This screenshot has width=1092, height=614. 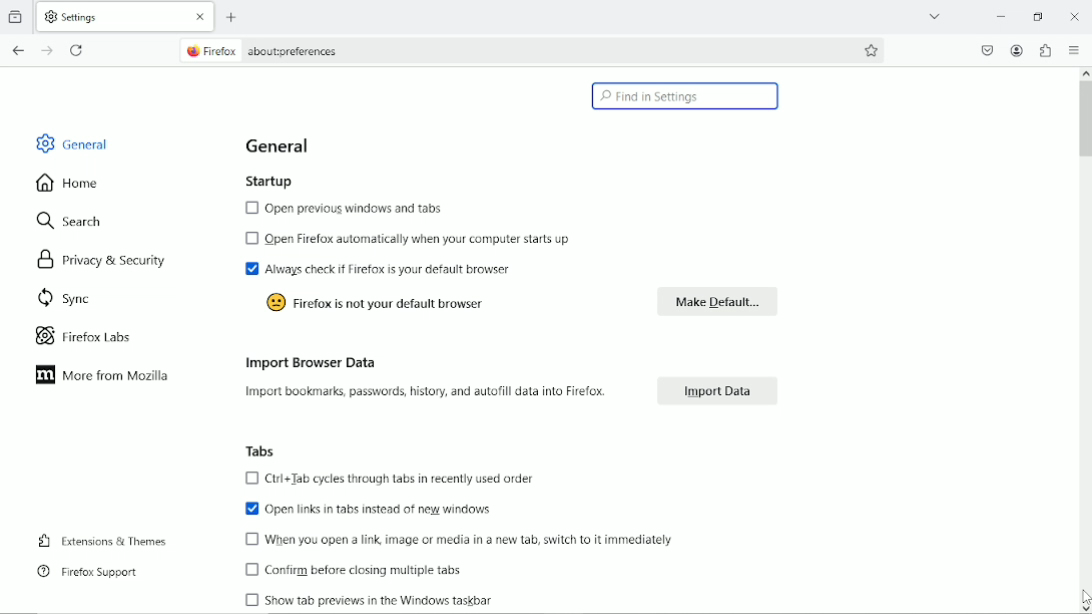 What do you see at coordinates (259, 451) in the screenshot?
I see `Tabs` at bounding box center [259, 451].